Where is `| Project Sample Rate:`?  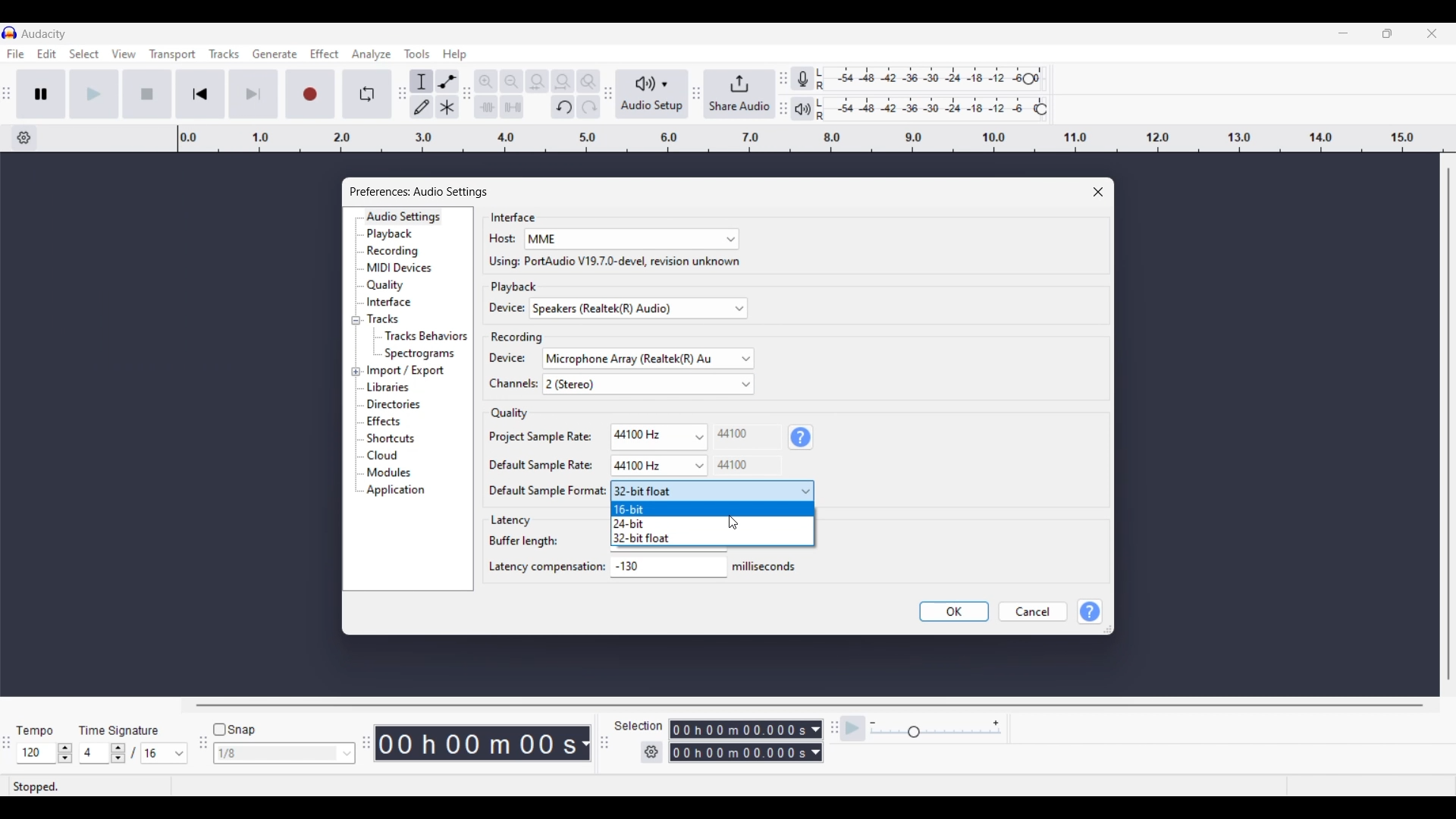 | Project Sample Rate: is located at coordinates (535, 436).